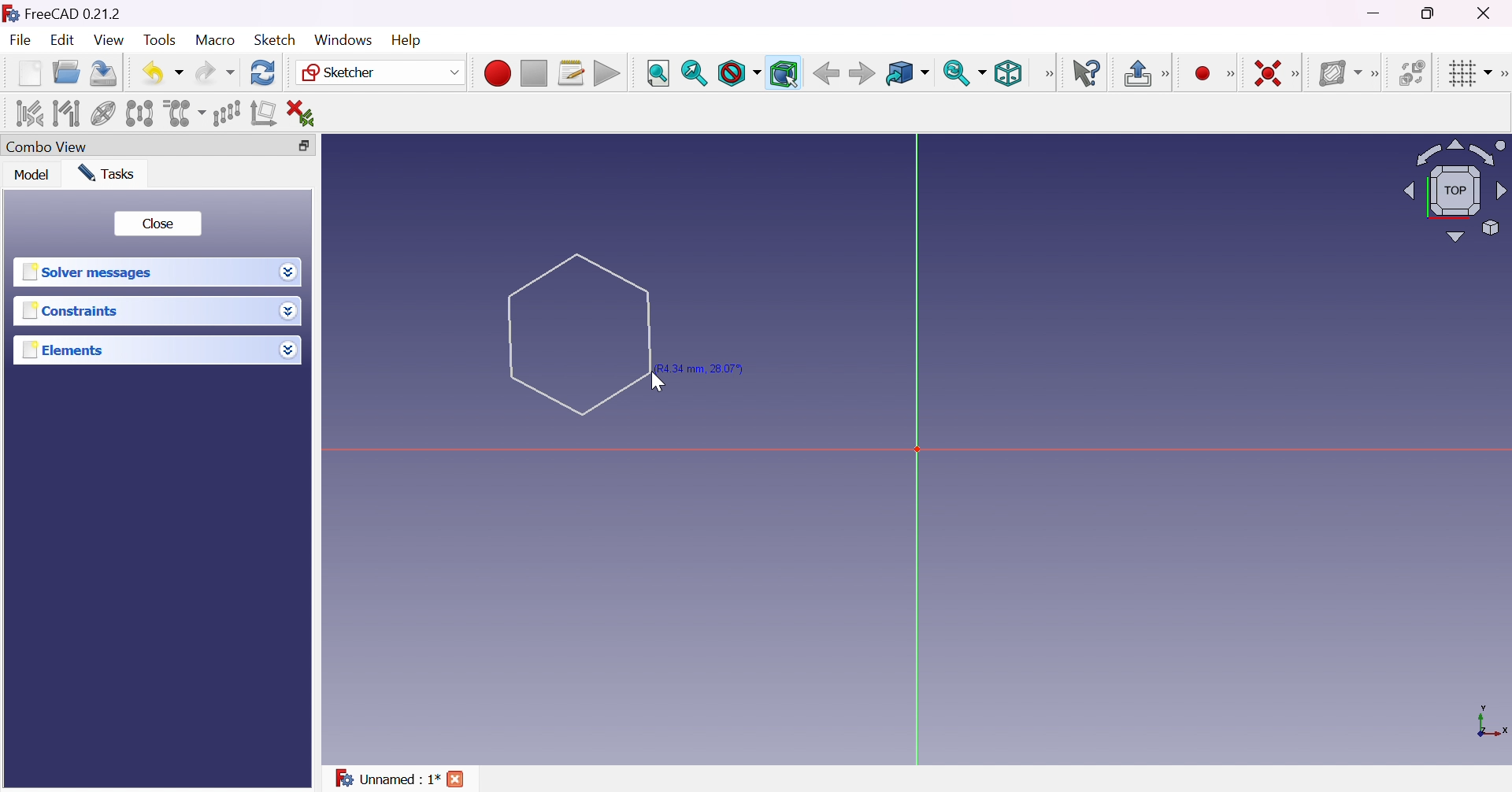 This screenshot has height=792, width=1512. What do you see at coordinates (695, 73) in the screenshot?
I see `Fit selection` at bounding box center [695, 73].